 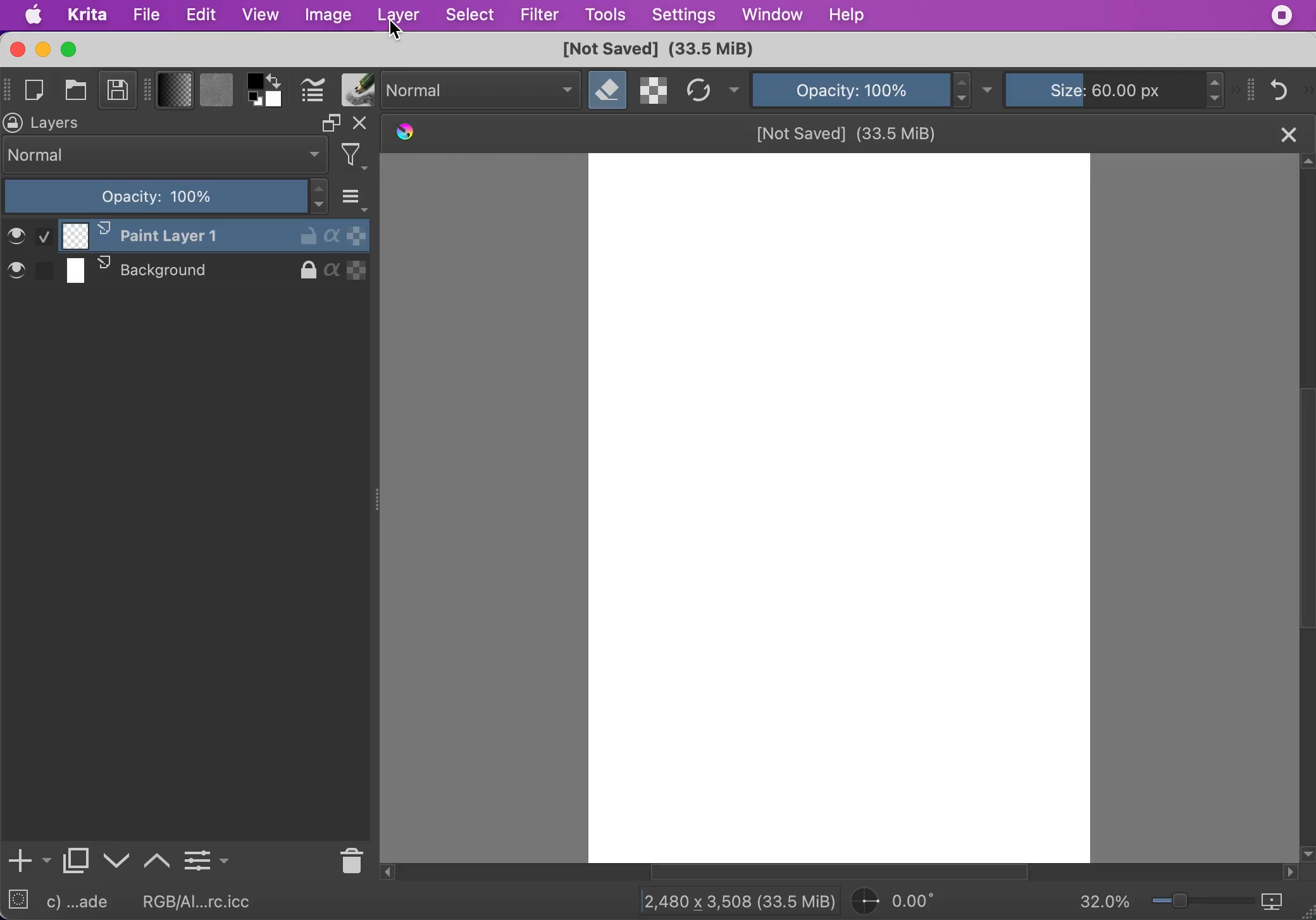 I want to click on [not saved] (33.5 MiB), so click(x=848, y=132).